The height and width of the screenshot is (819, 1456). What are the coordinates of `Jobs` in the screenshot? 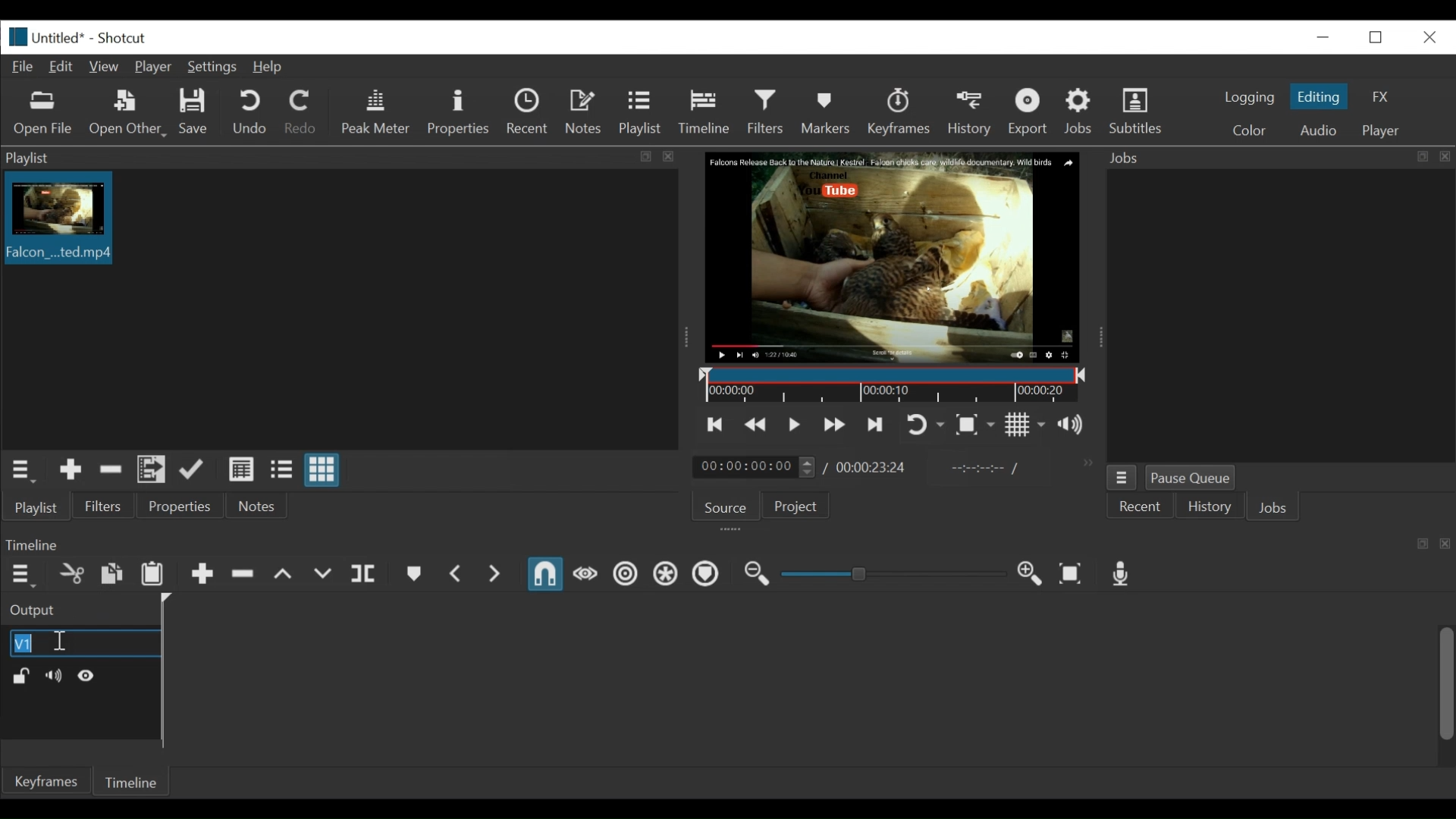 It's located at (1079, 111).